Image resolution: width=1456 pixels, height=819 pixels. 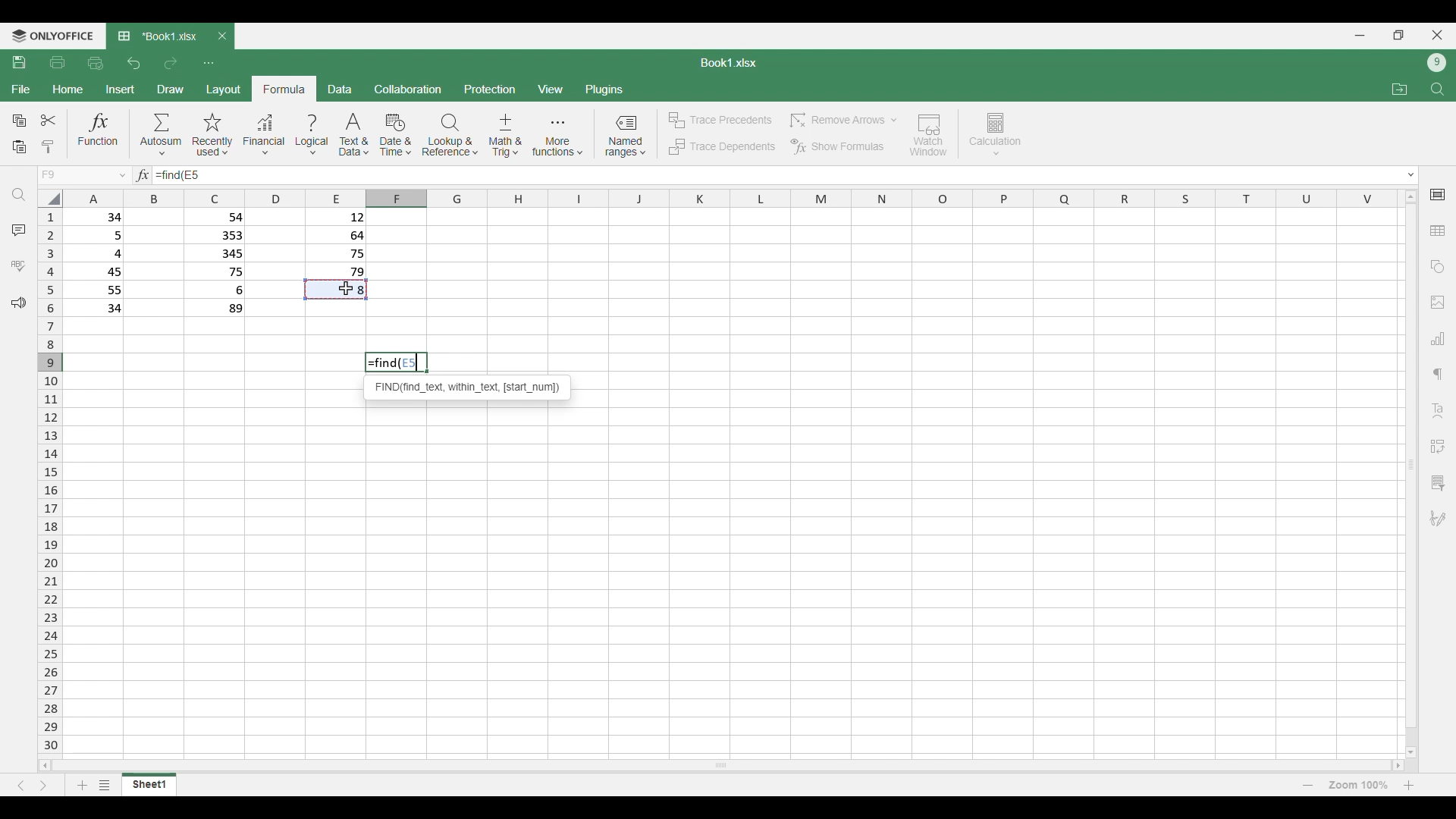 What do you see at coordinates (264, 136) in the screenshot?
I see `Financial` at bounding box center [264, 136].